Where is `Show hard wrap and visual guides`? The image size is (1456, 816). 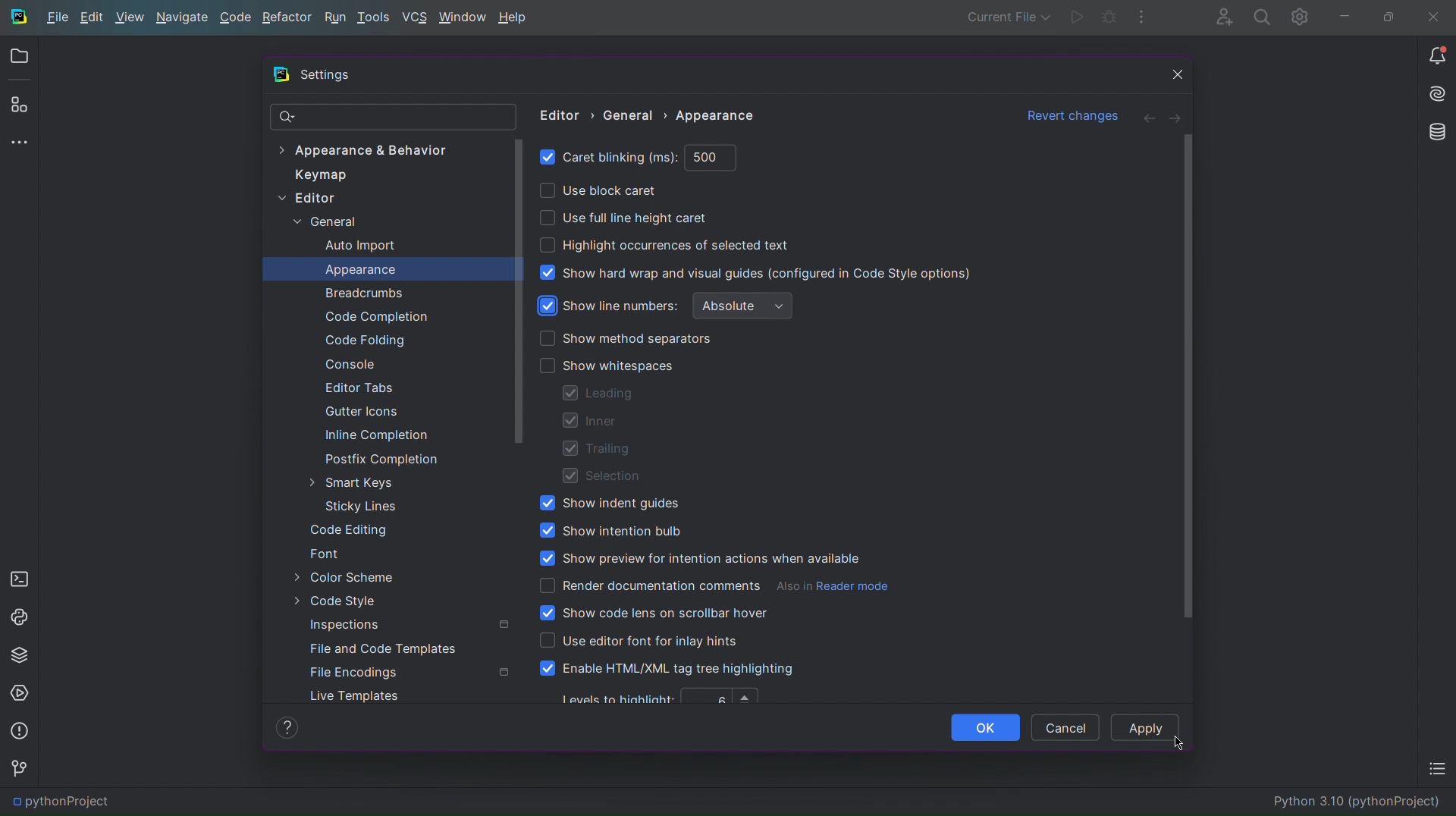 Show hard wrap and visual guides is located at coordinates (758, 273).